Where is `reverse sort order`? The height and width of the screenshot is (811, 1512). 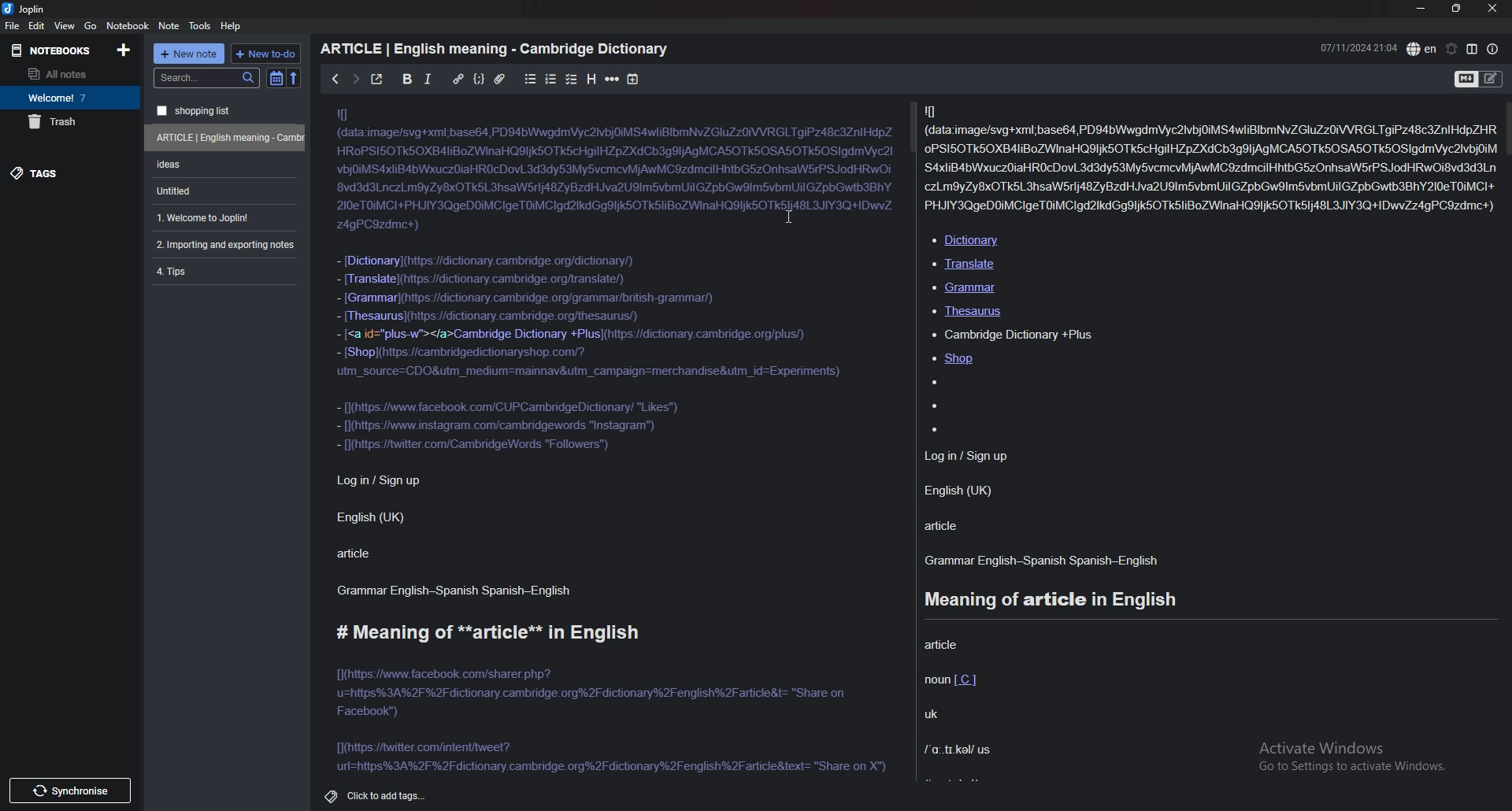 reverse sort order is located at coordinates (294, 80).